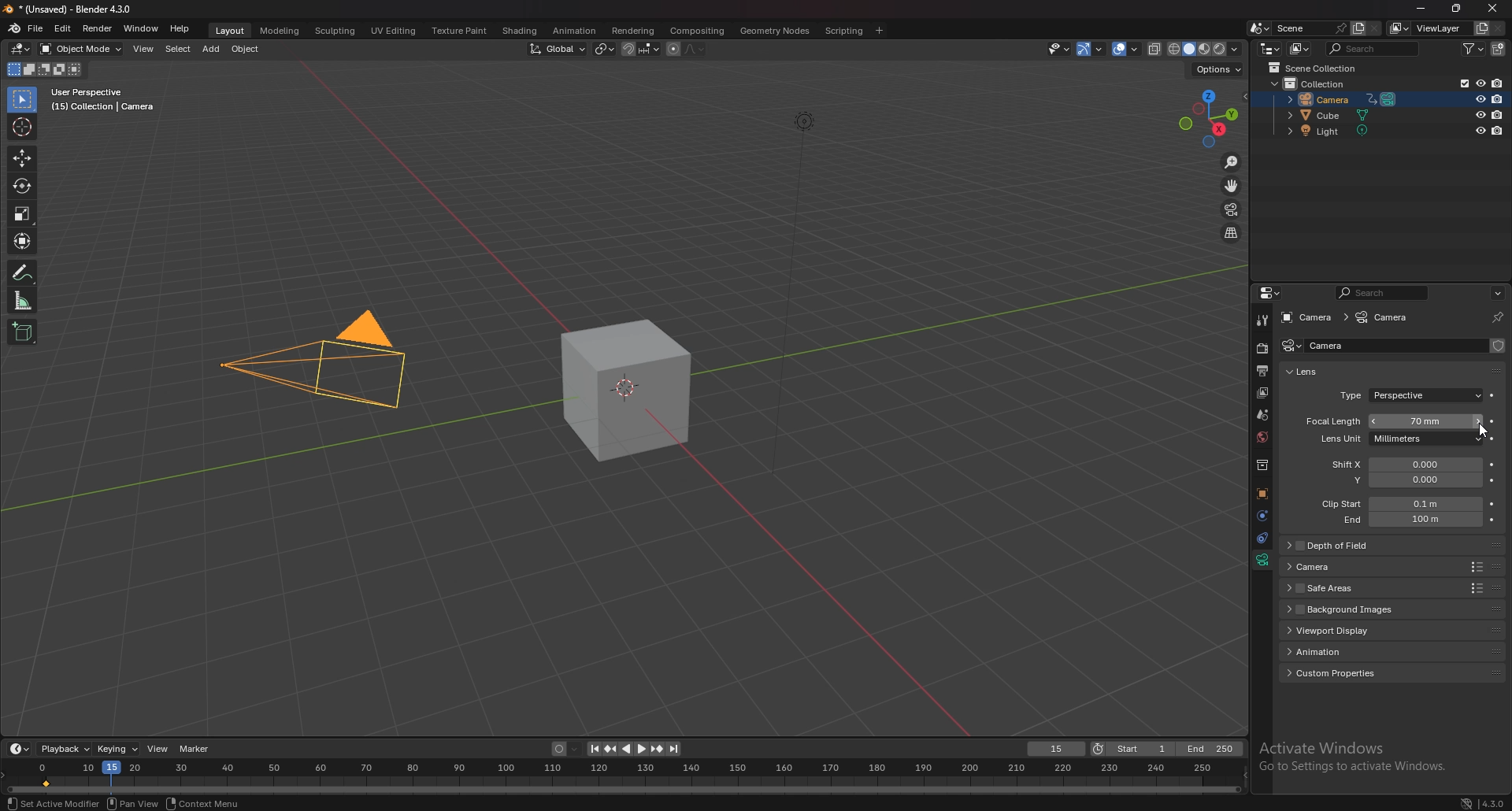 This screenshot has height=811, width=1512. What do you see at coordinates (1338, 98) in the screenshot?
I see `camera` at bounding box center [1338, 98].